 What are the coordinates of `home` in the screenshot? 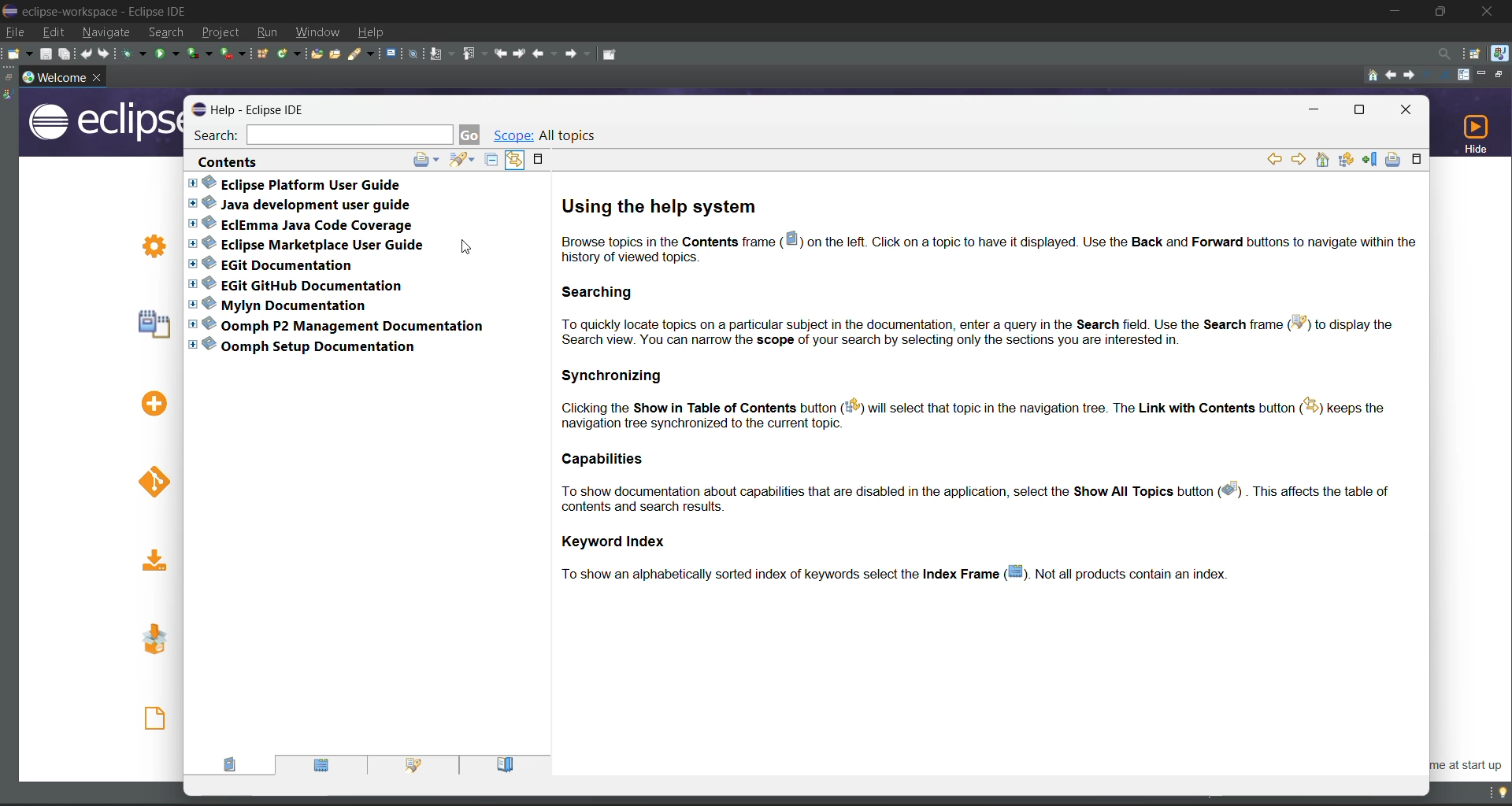 It's located at (1373, 75).